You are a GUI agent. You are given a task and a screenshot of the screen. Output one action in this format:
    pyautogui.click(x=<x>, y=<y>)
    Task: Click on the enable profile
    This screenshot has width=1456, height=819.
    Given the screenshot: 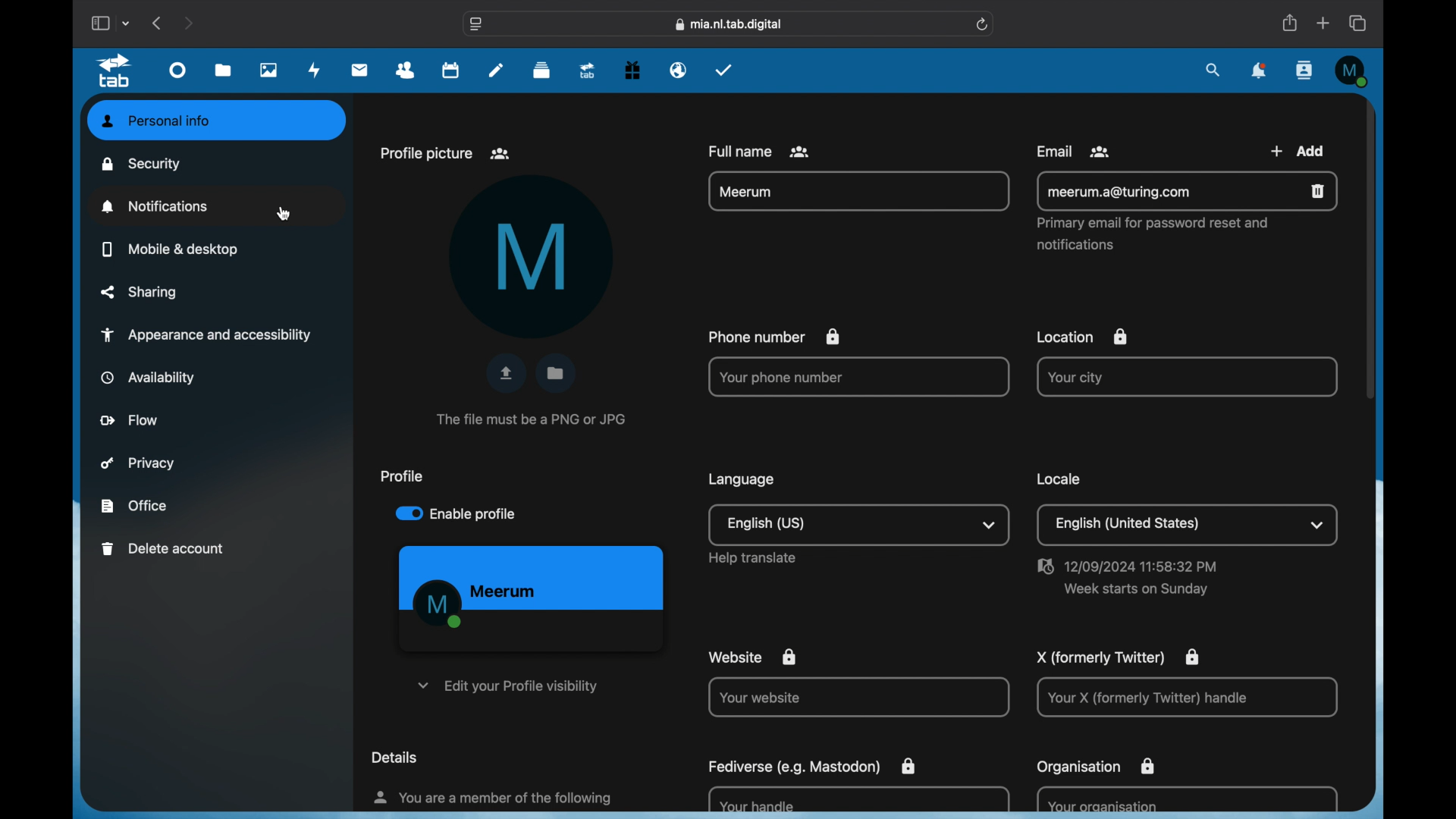 What is the action you would take?
    pyautogui.click(x=454, y=514)
    